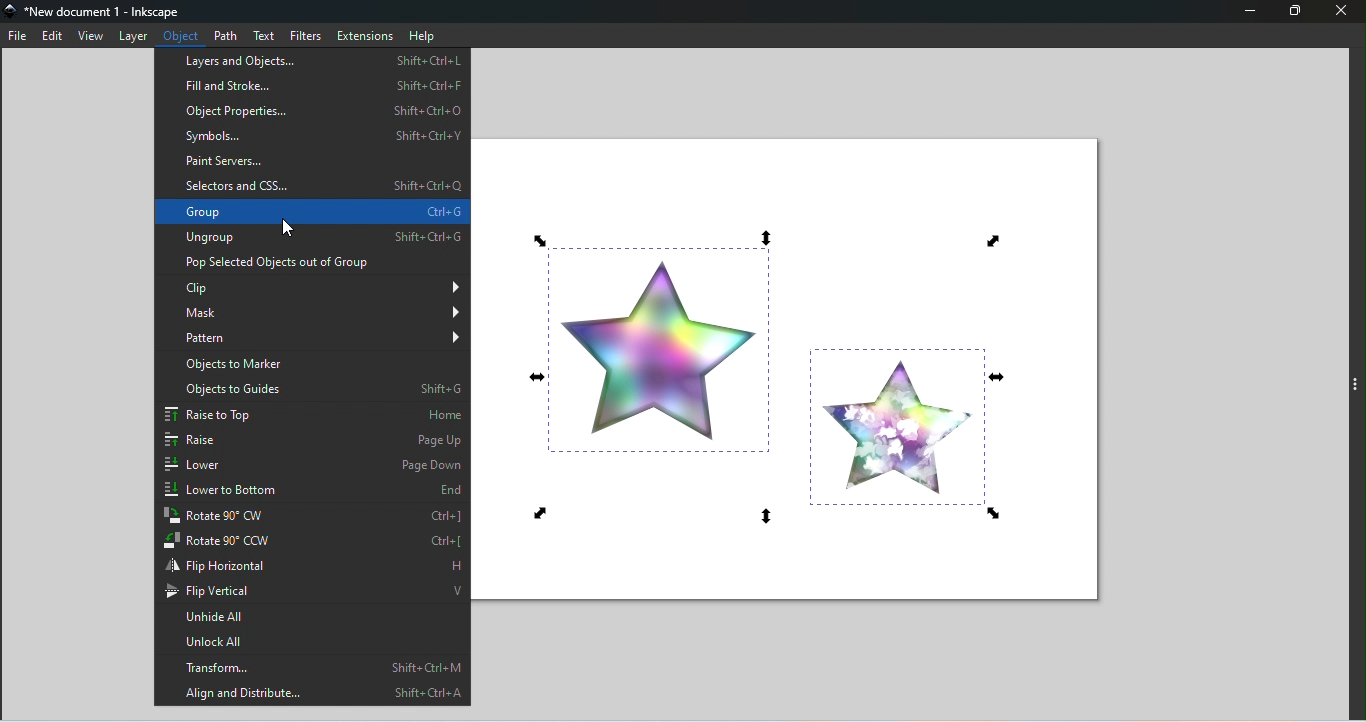 Image resolution: width=1366 pixels, height=722 pixels. Describe the element at coordinates (134, 37) in the screenshot. I see `Layer` at that location.